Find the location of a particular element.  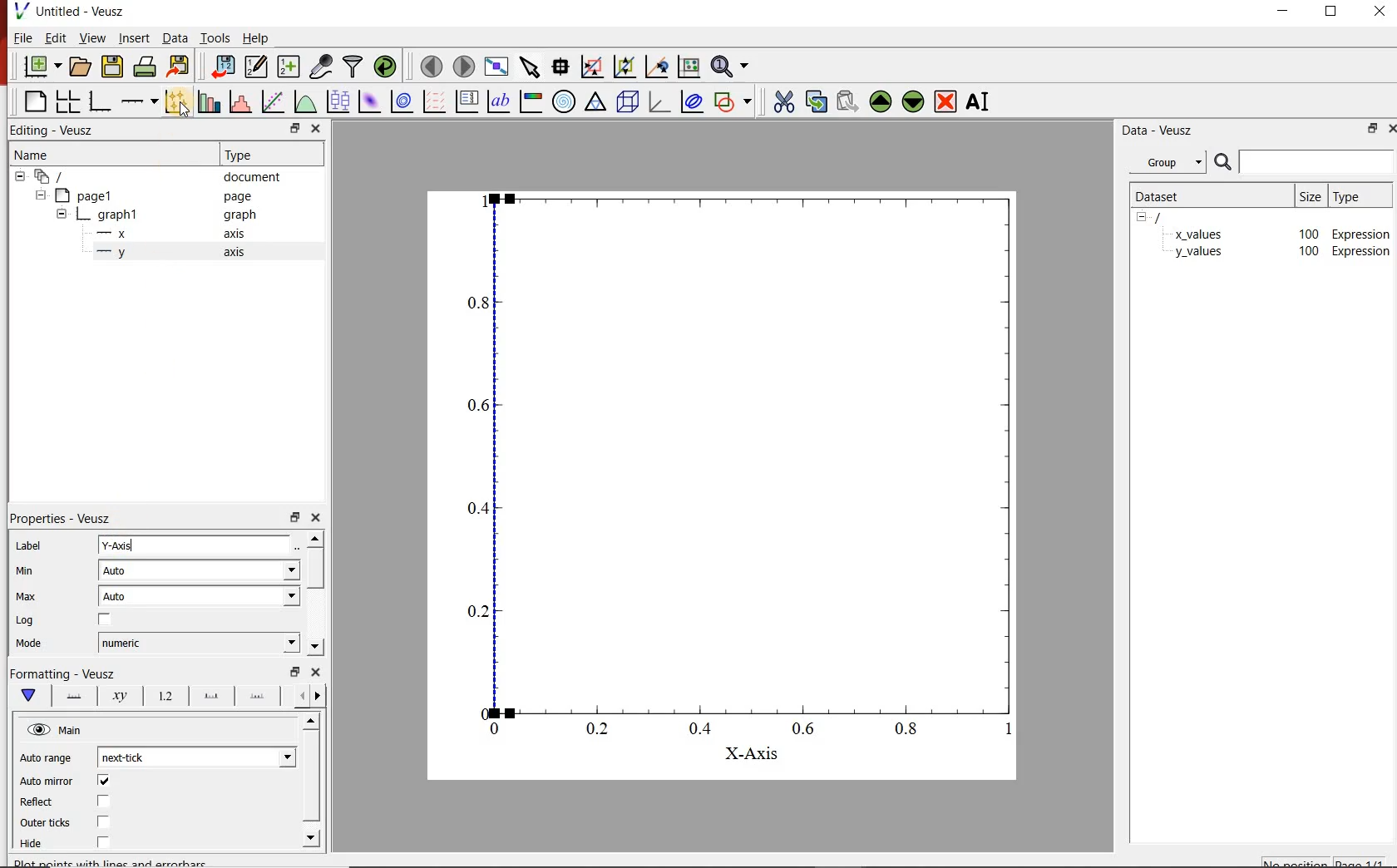

move down is located at coordinates (311, 840).